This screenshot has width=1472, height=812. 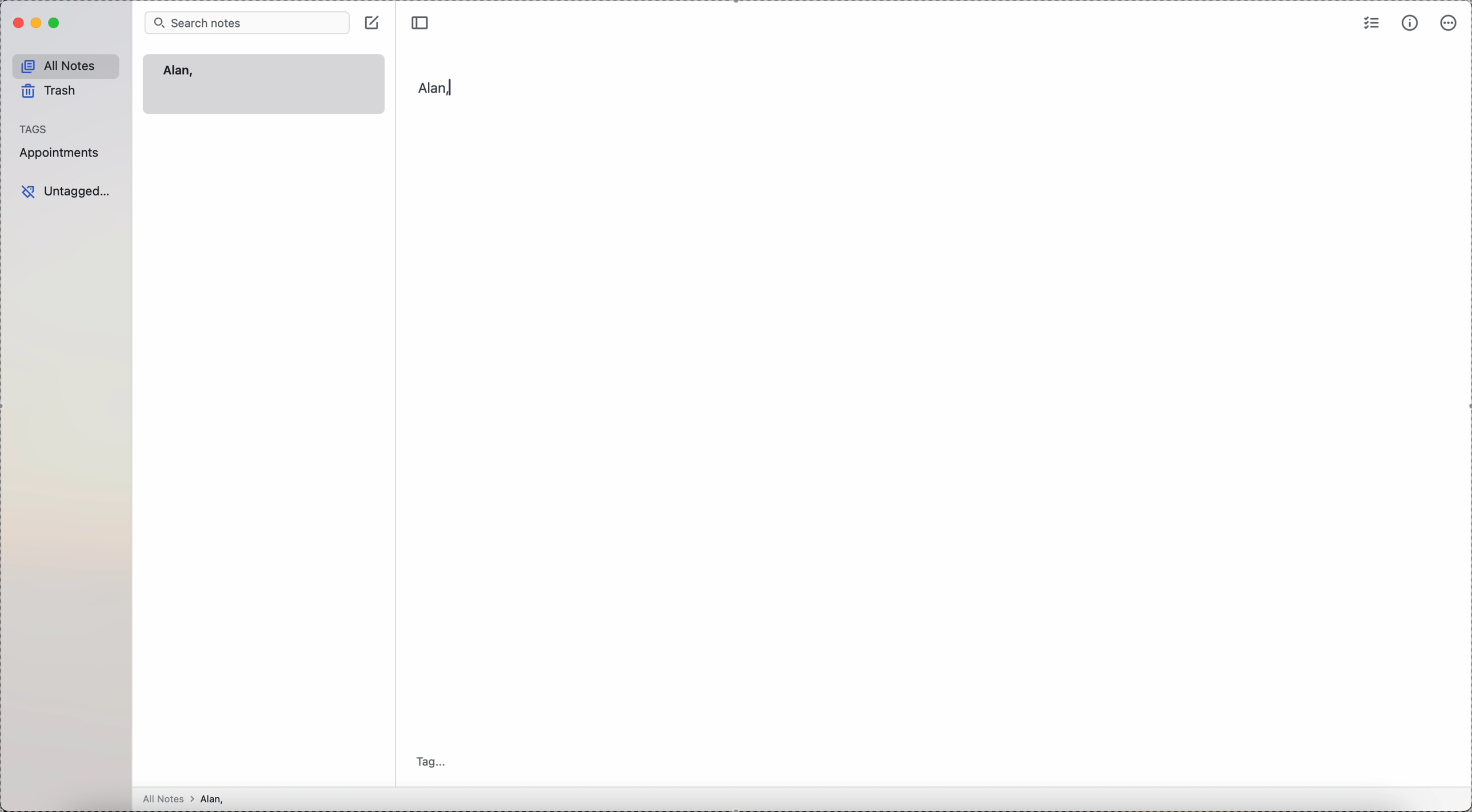 I want to click on all notes, so click(x=66, y=66).